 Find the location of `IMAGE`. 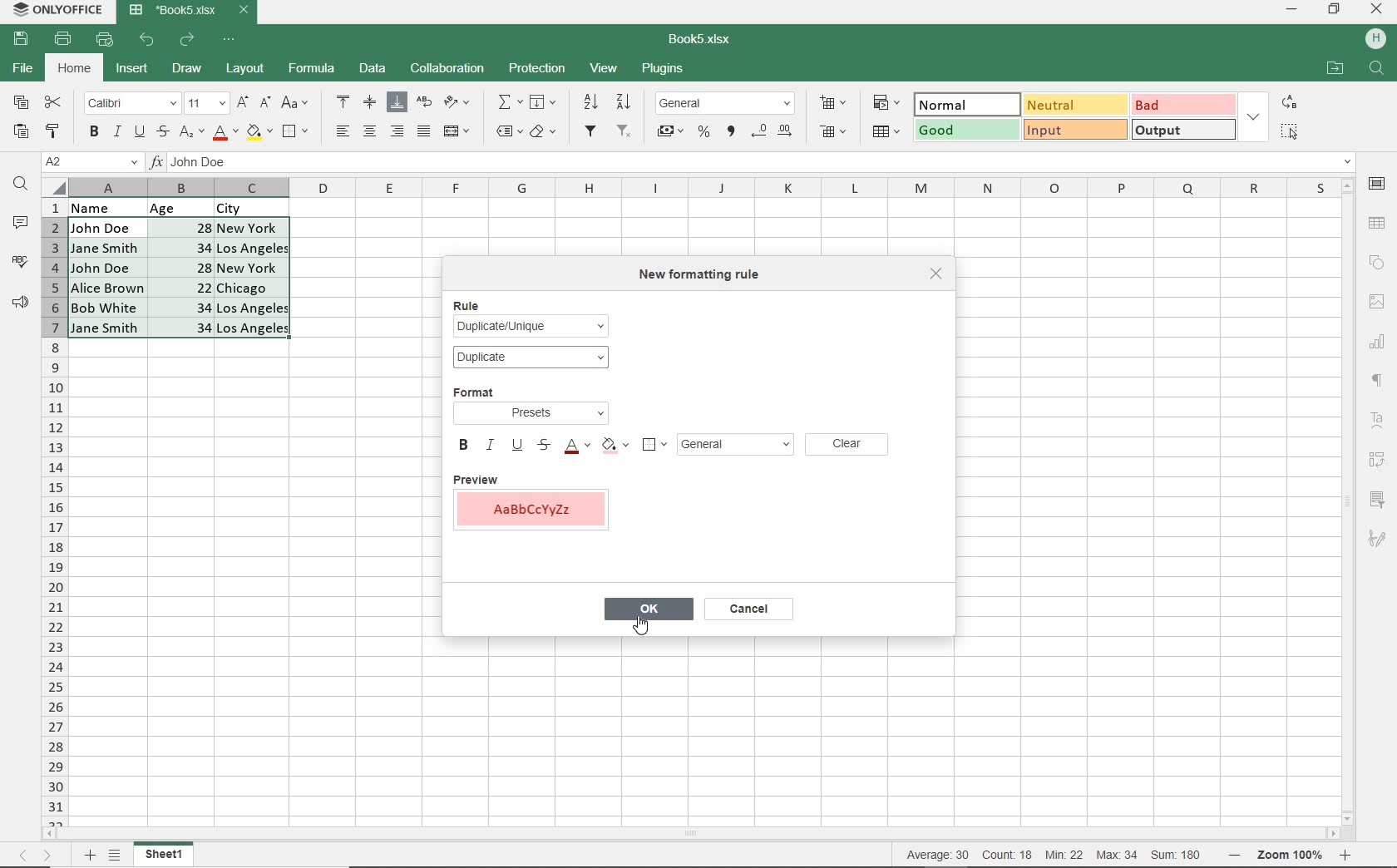

IMAGE is located at coordinates (1376, 302).